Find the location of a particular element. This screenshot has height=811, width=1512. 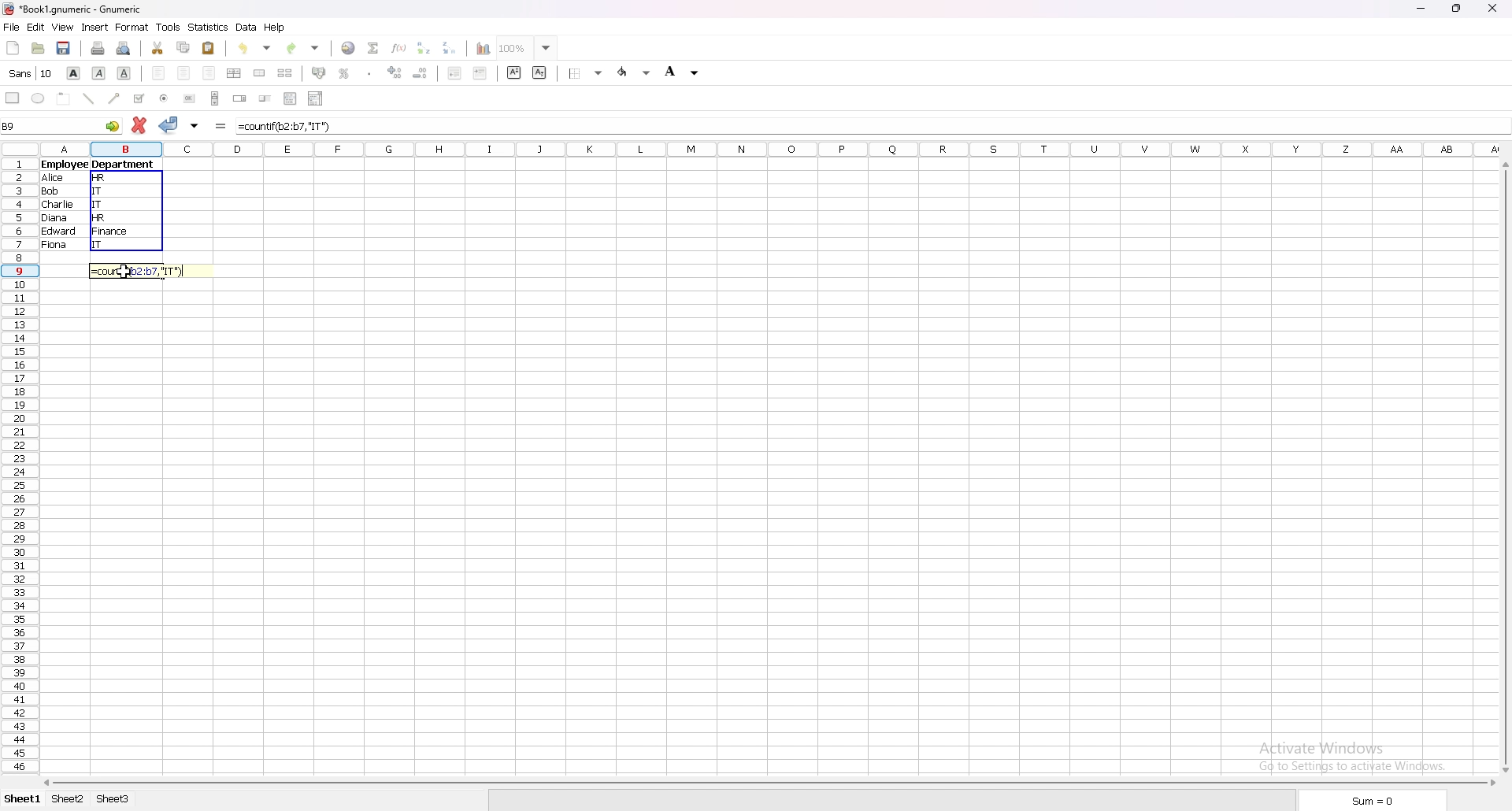

scroll bar is located at coordinates (1506, 466).